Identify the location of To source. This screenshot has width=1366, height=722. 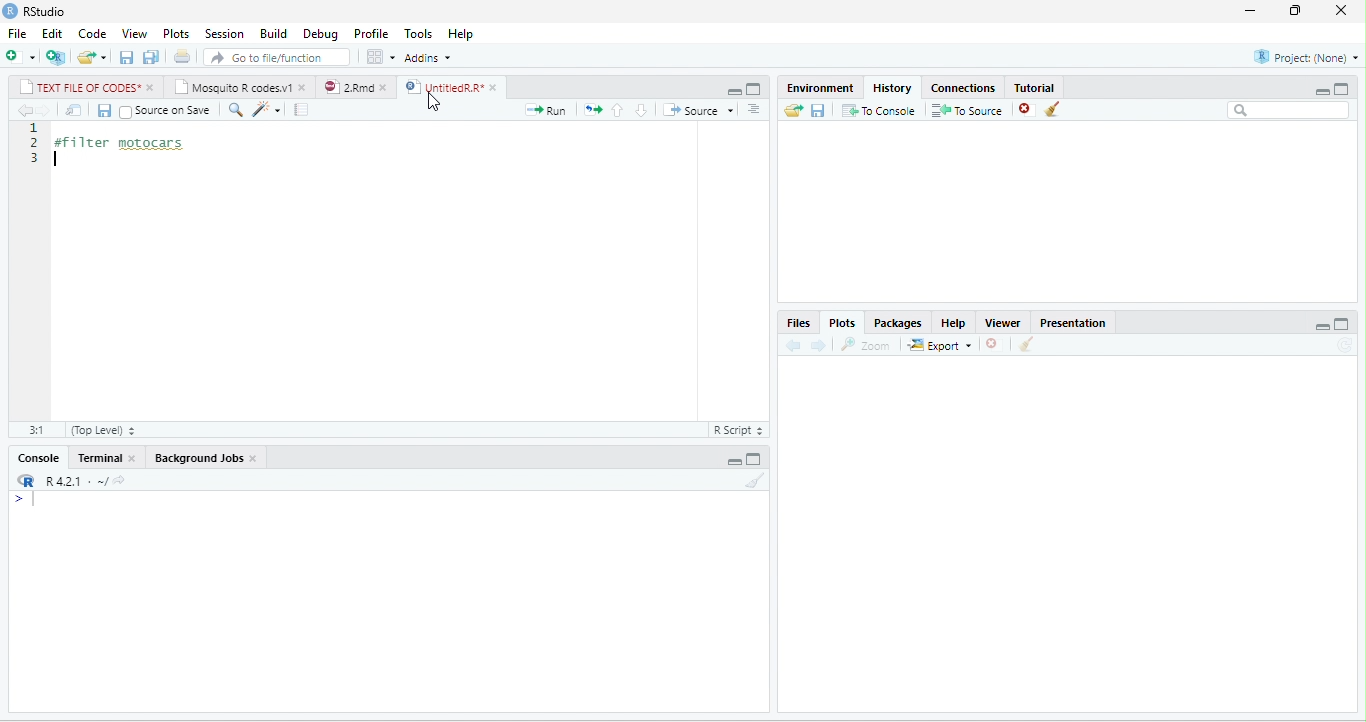
(965, 110).